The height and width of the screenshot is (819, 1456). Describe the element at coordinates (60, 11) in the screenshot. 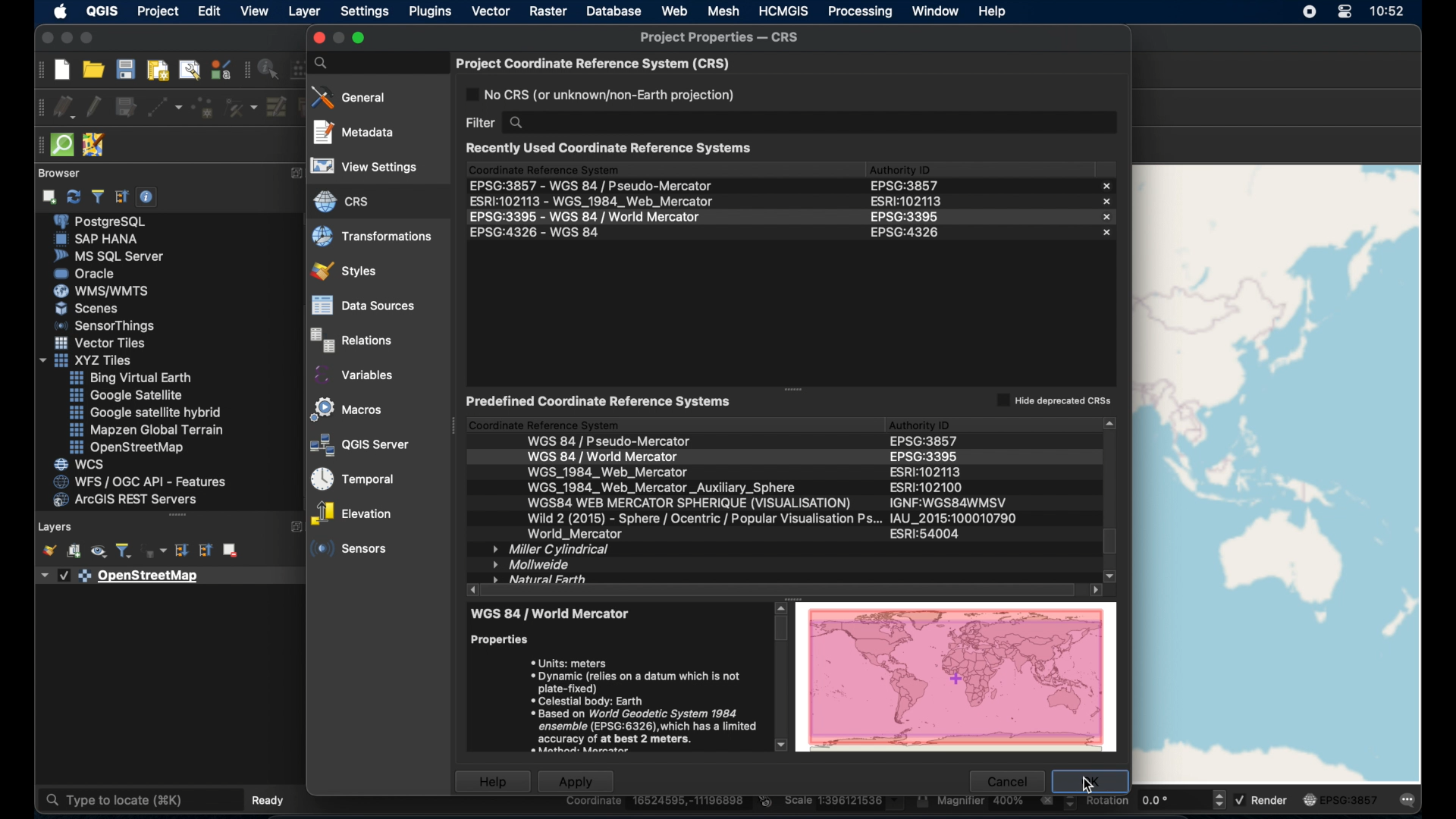

I see `apple. logo` at that location.